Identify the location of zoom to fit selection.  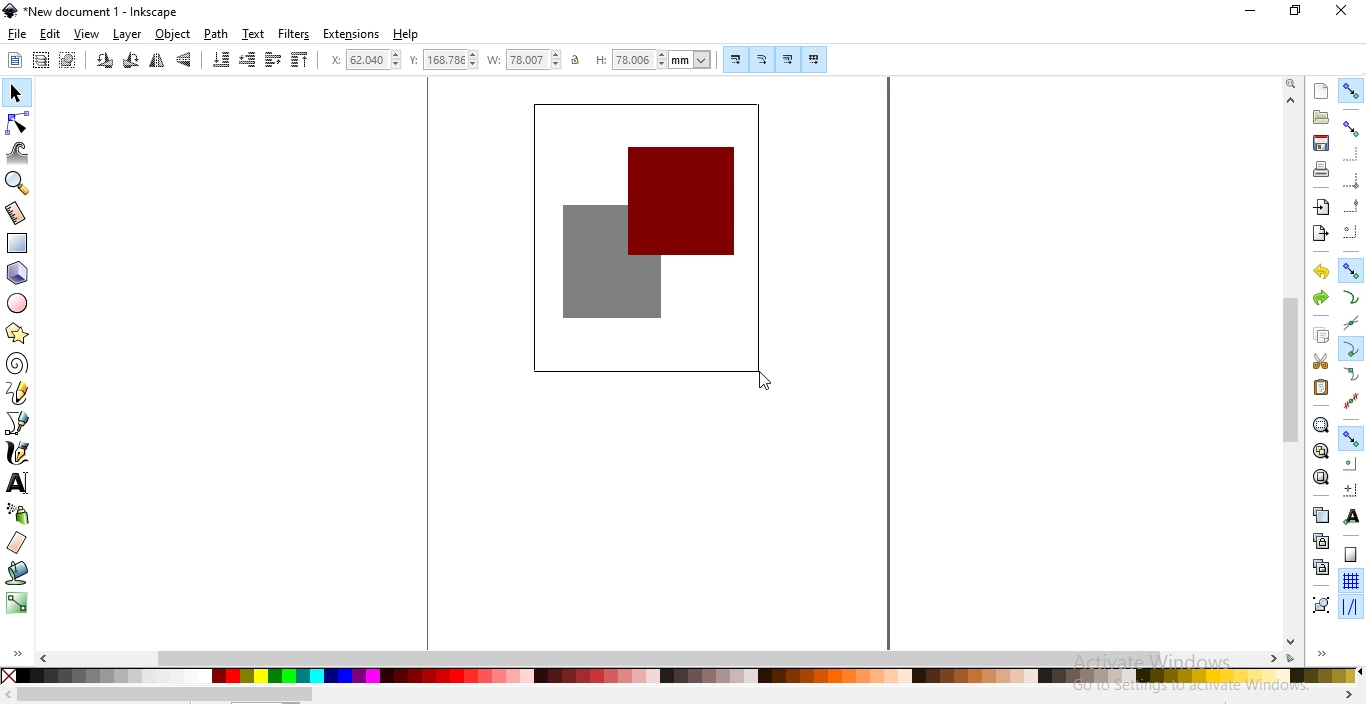
(1320, 426).